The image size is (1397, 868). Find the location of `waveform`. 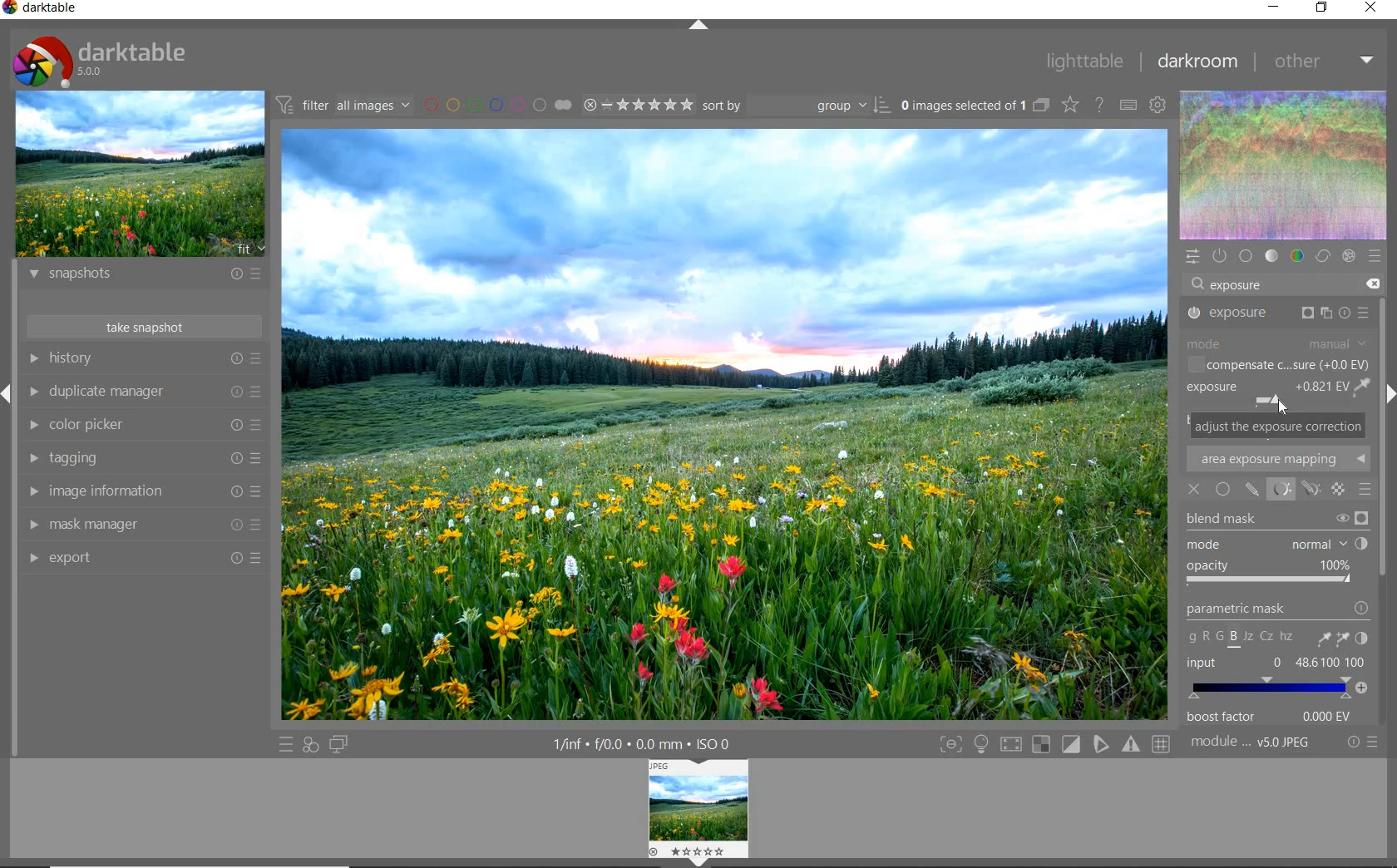

waveform is located at coordinates (1284, 165).